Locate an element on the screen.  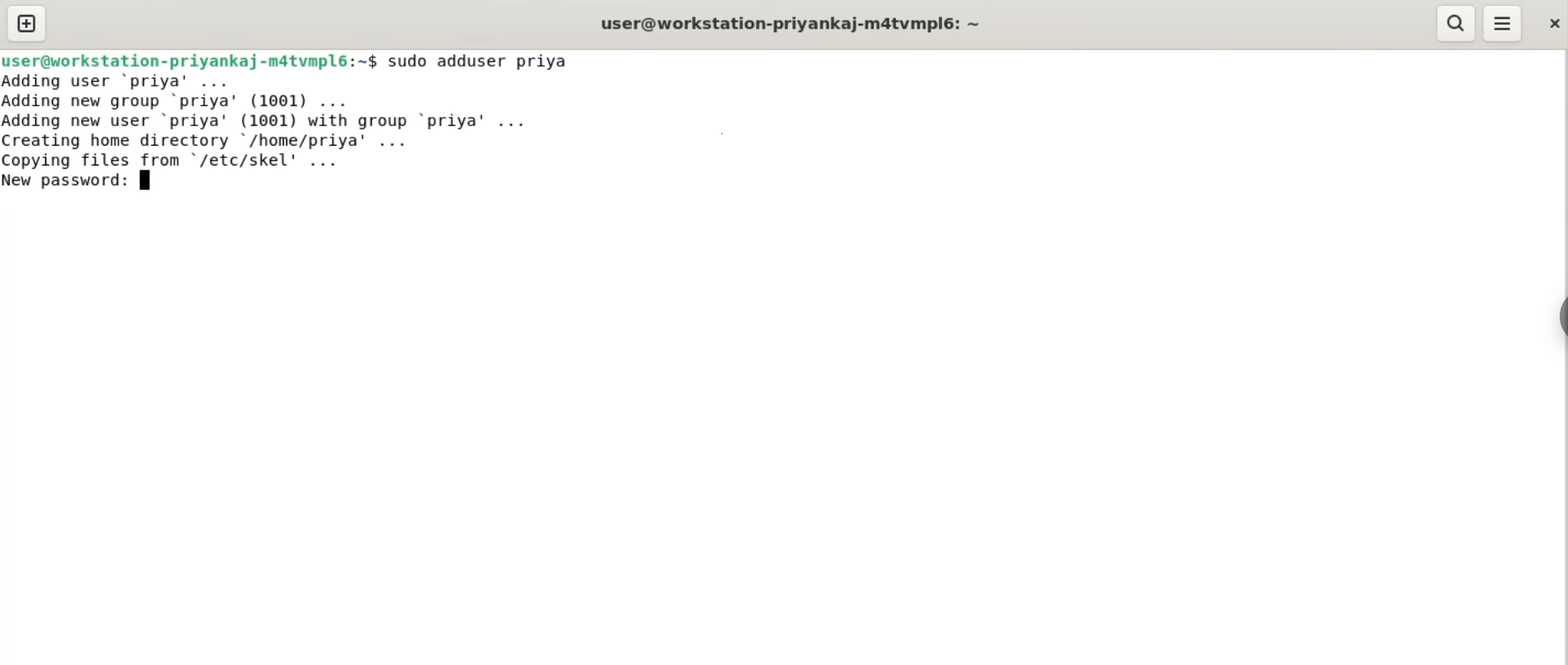
new tab is located at coordinates (26, 23).